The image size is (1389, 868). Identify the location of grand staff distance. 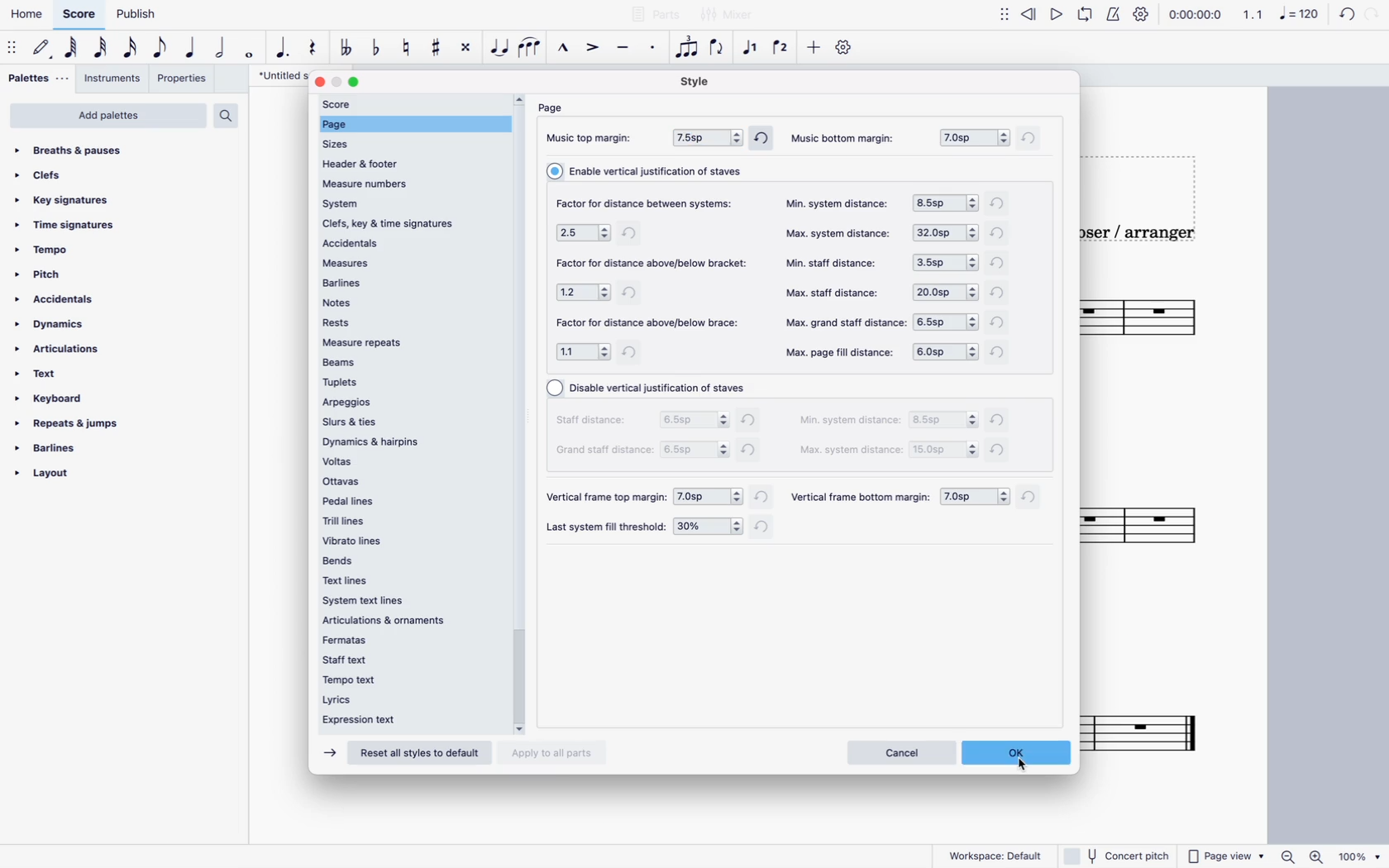
(605, 451).